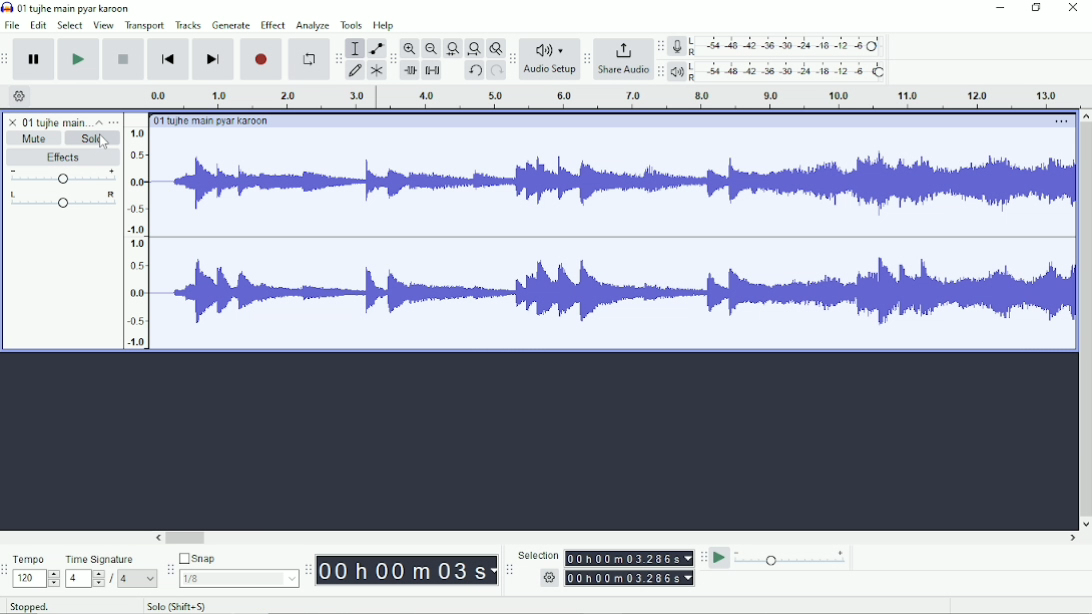 The image size is (1092, 614). Describe the element at coordinates (308, 570) in the screenshot. I see `Audacity time toolbar` at that location.